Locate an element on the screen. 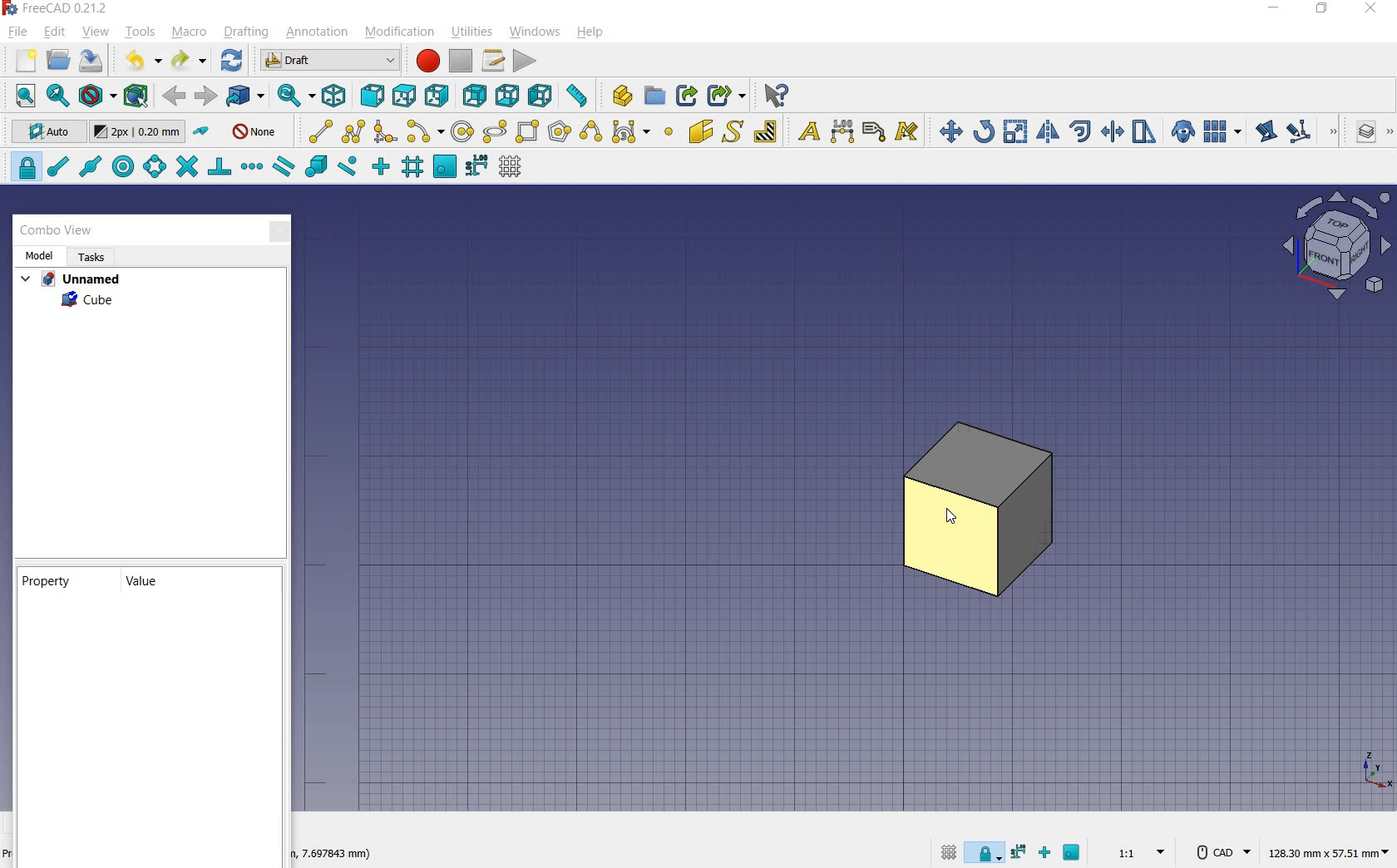 The width and height of the screenshot is (1397, 868). draw style is located at coordinates (95, 95).